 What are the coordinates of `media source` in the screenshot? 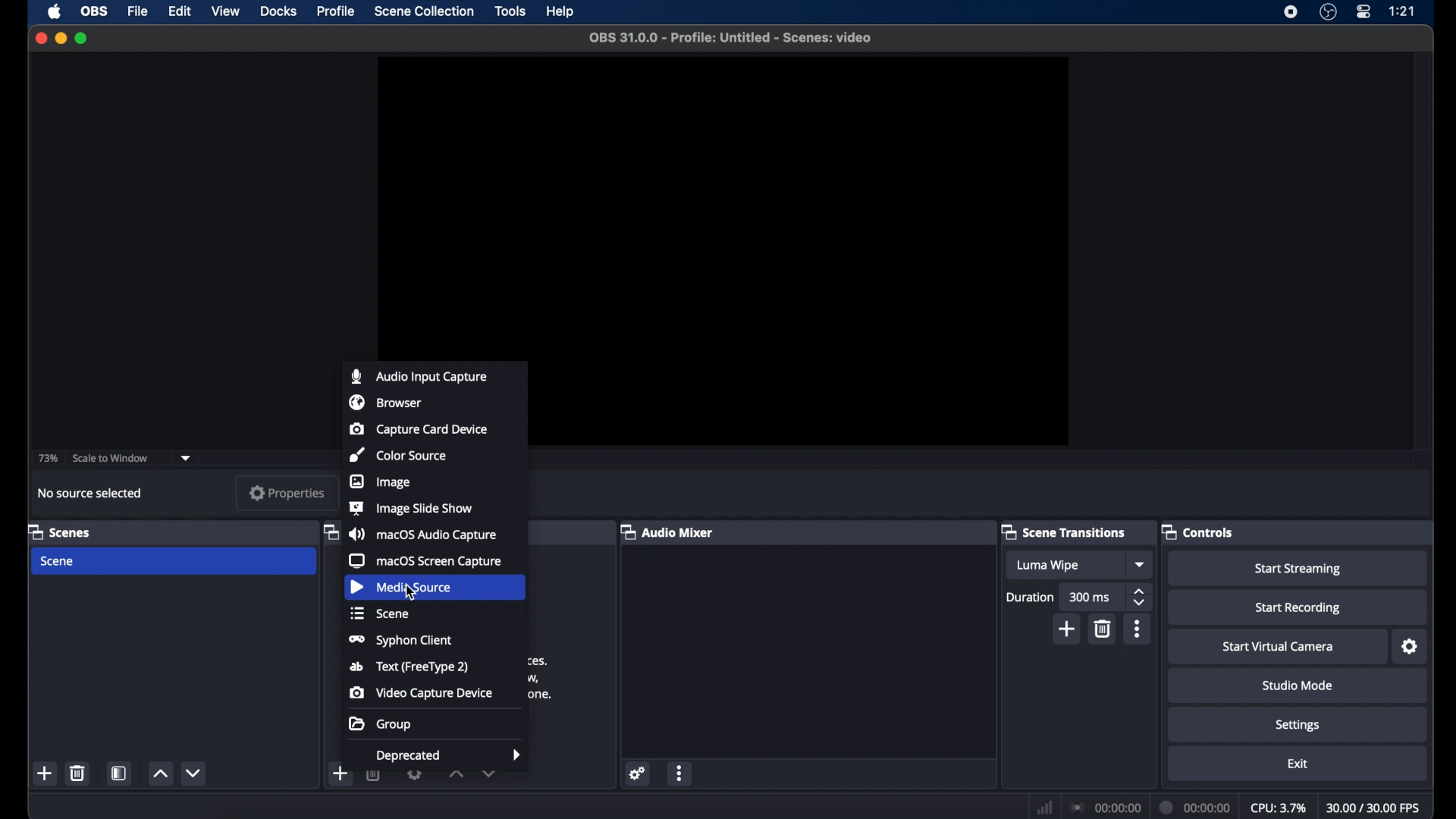 It's located at (402, 586).